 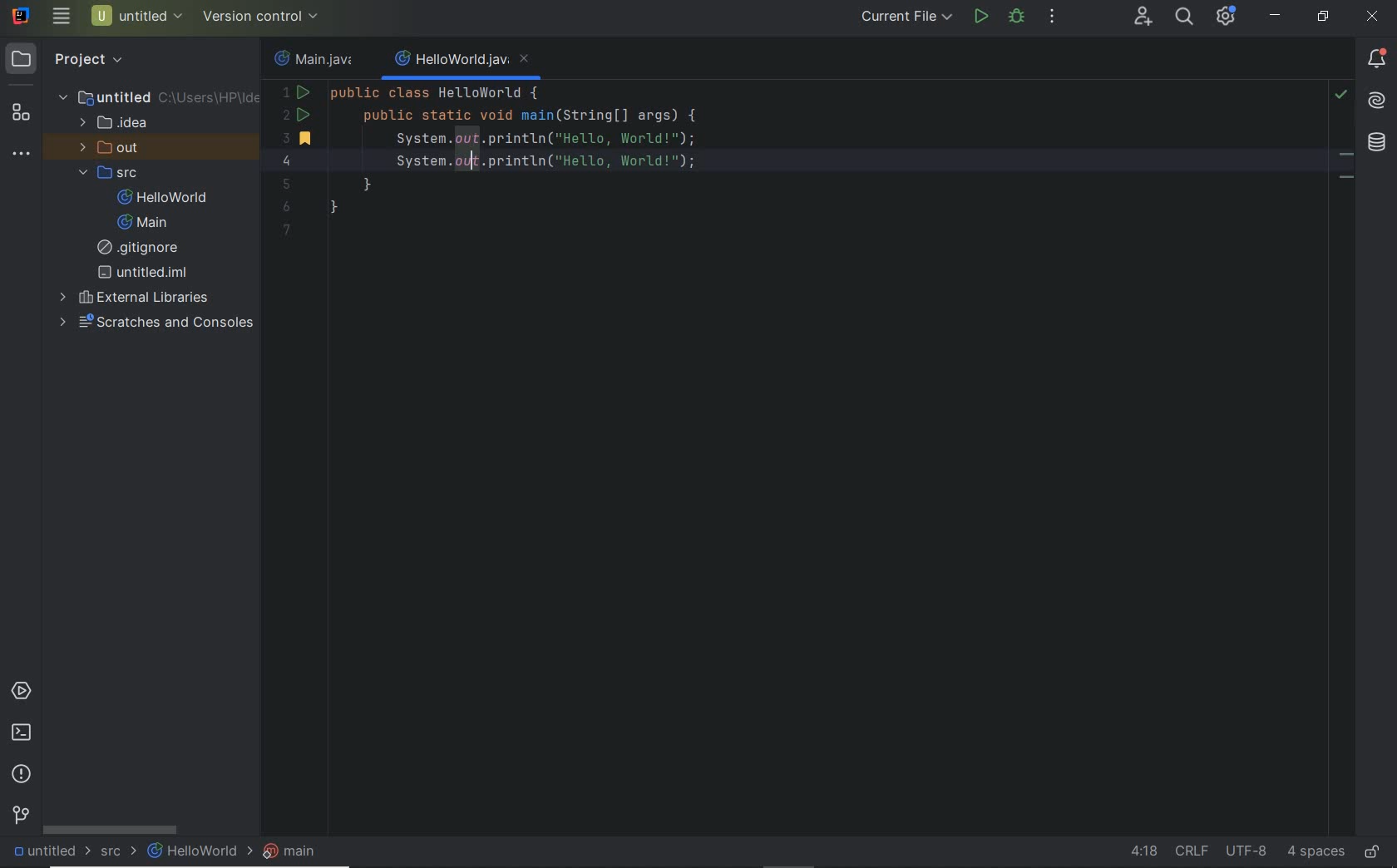 What do you see at coordinates (1191, 847) in the screenshot?
I see `CRLF(line separator)` at bounding box center [1191, 847].